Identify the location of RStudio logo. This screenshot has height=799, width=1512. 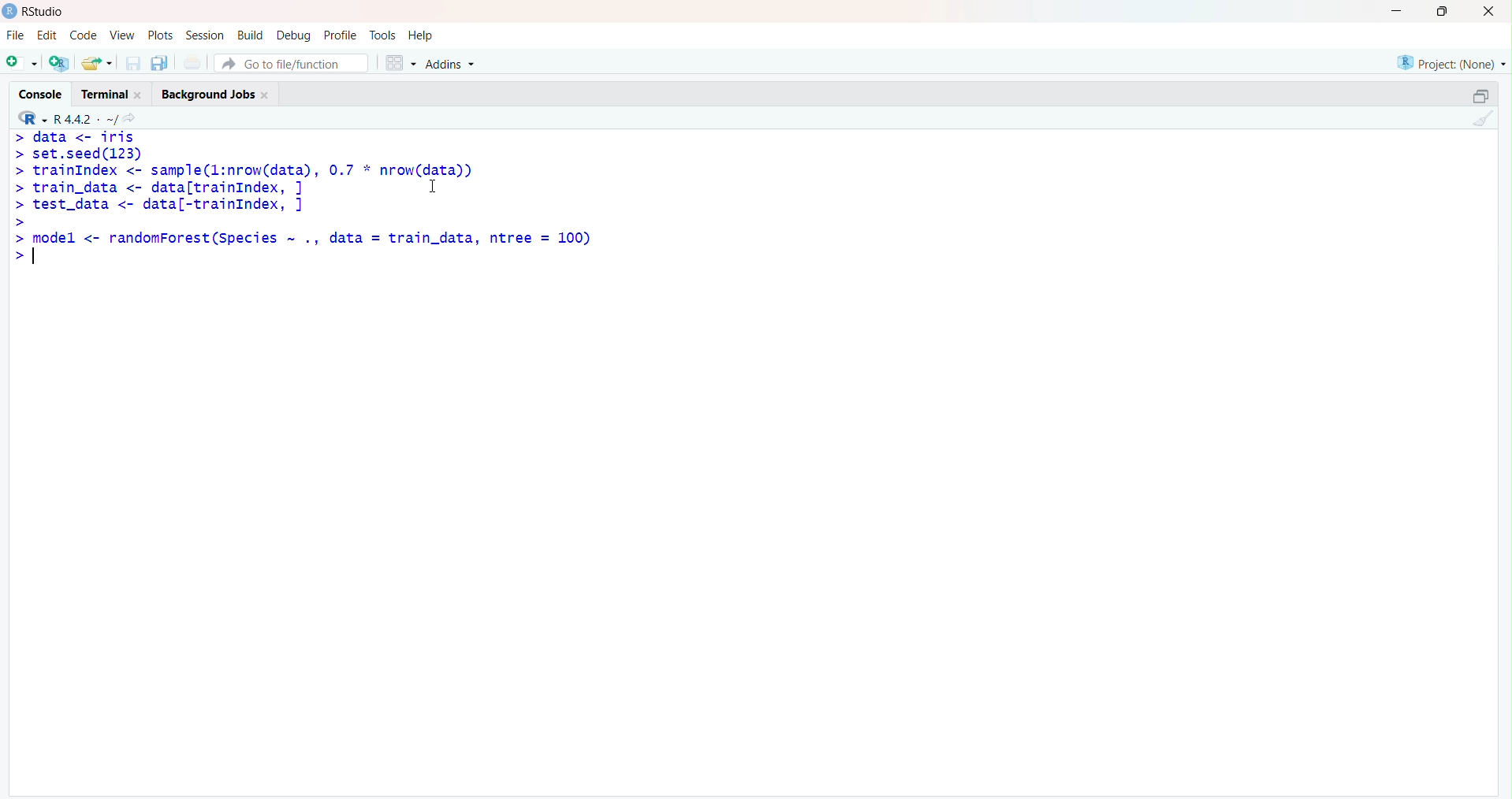
(29, 117).